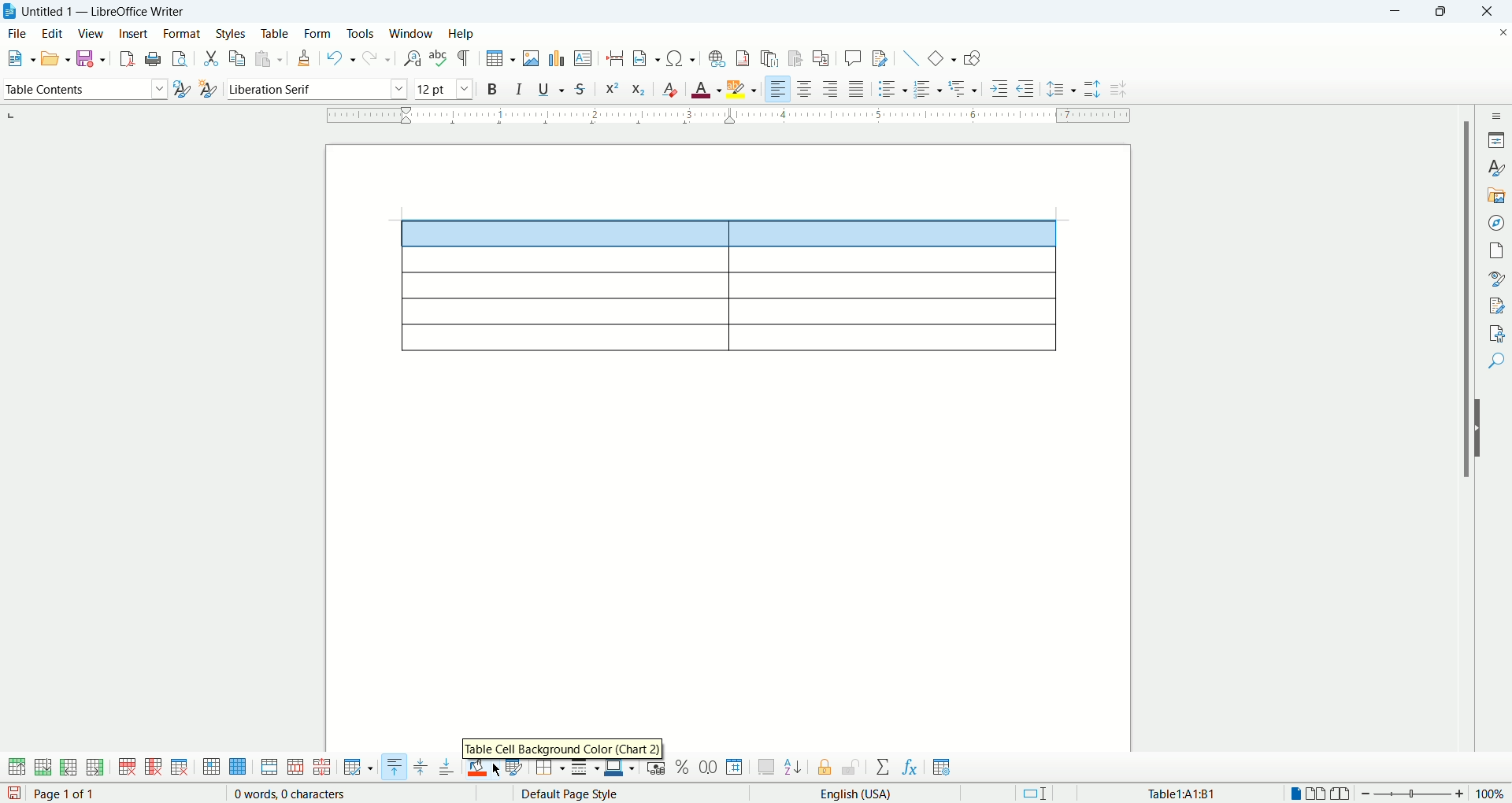 Image resolution: width=1512 pixels, height=803 pixels. What do you see at coordinates (154, 58) in the screenshot?
I see `print` at bounding box center [154, 58].